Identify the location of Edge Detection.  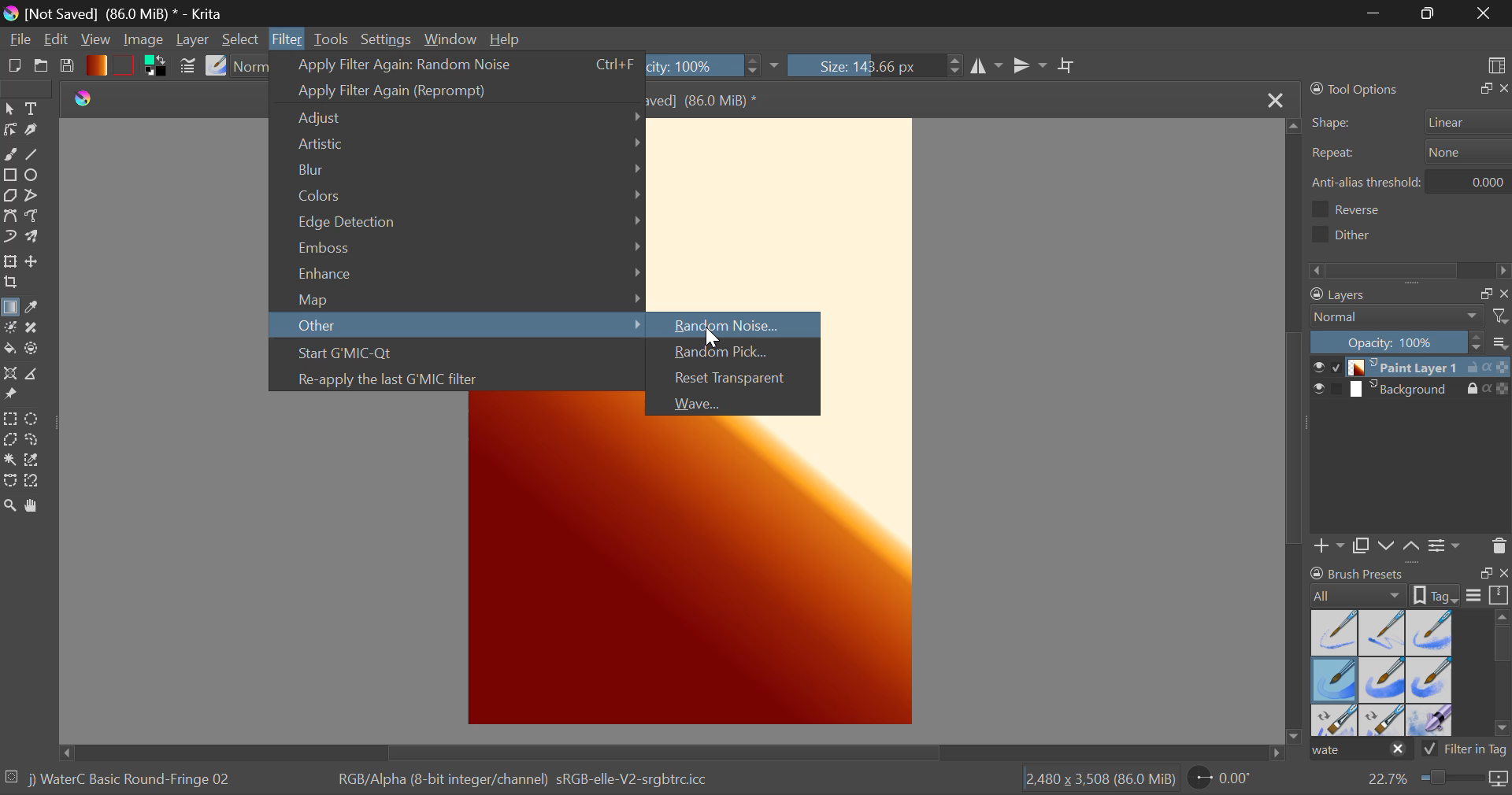
(457, 224).